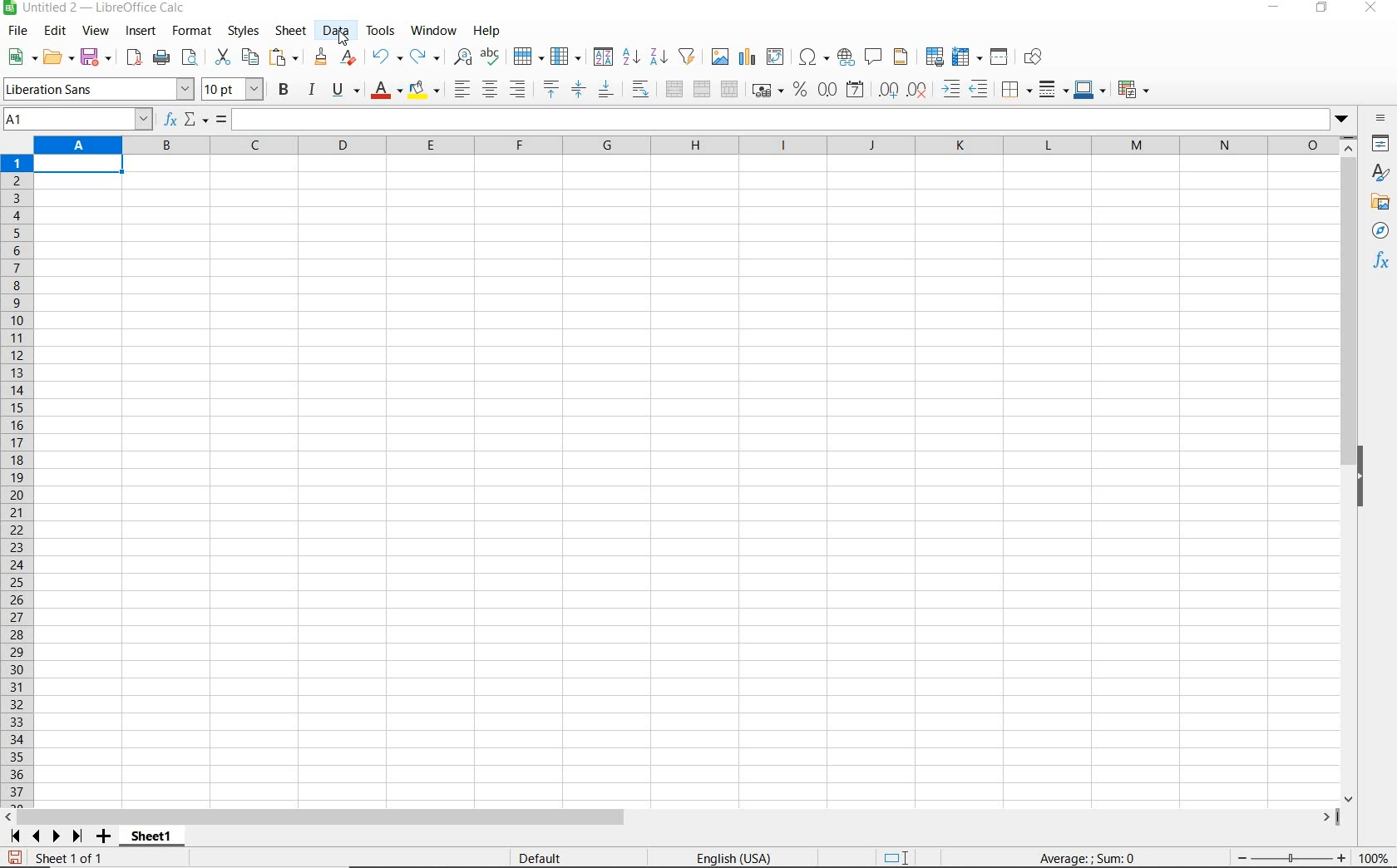 The height and width of the screenshot is (868, 1397). Describe the element at coordinates (98, 89) in the screenshot. I see `font name` at that location.